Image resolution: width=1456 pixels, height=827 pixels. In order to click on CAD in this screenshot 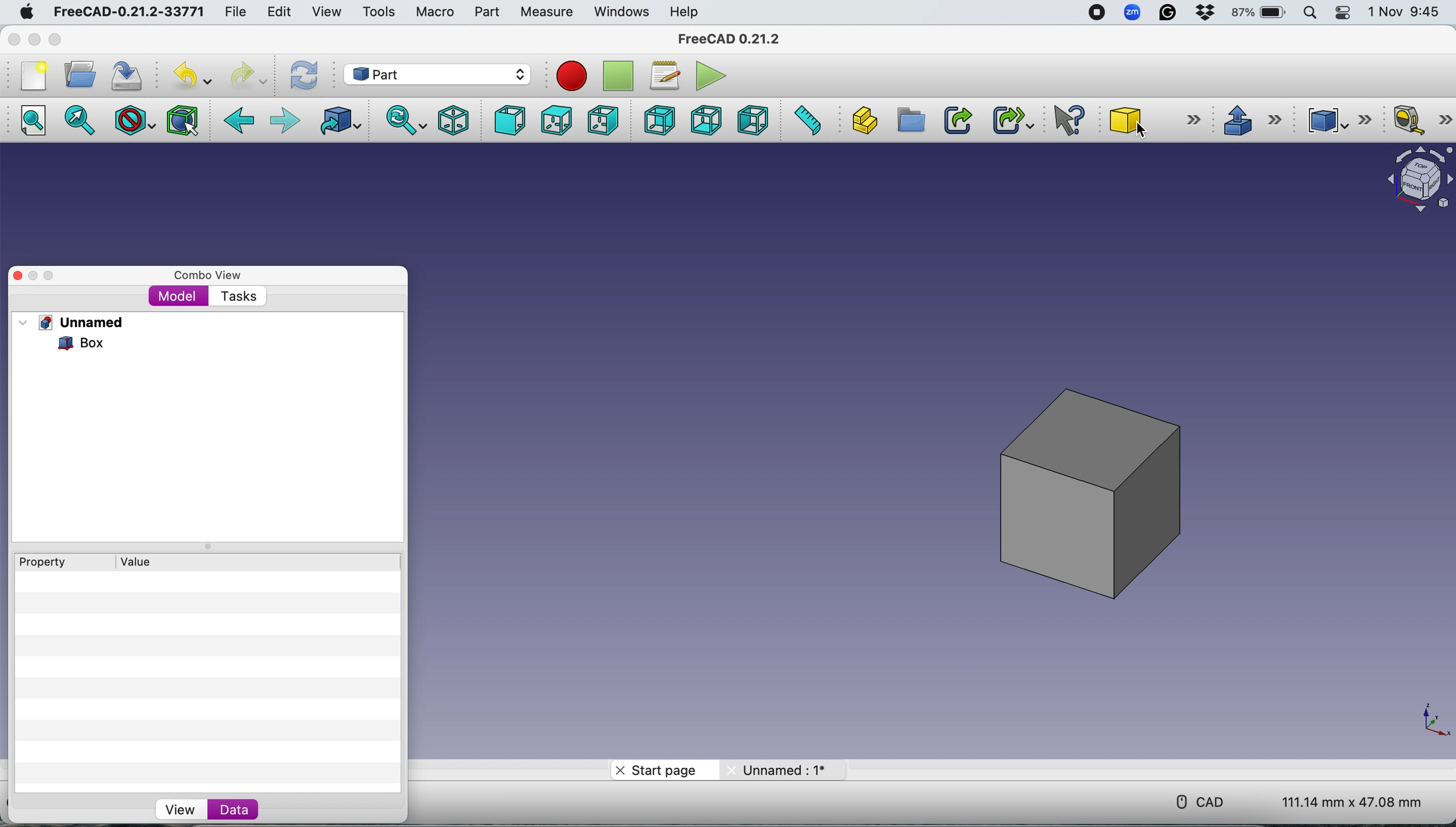, I will do `click(1197, 800)`.